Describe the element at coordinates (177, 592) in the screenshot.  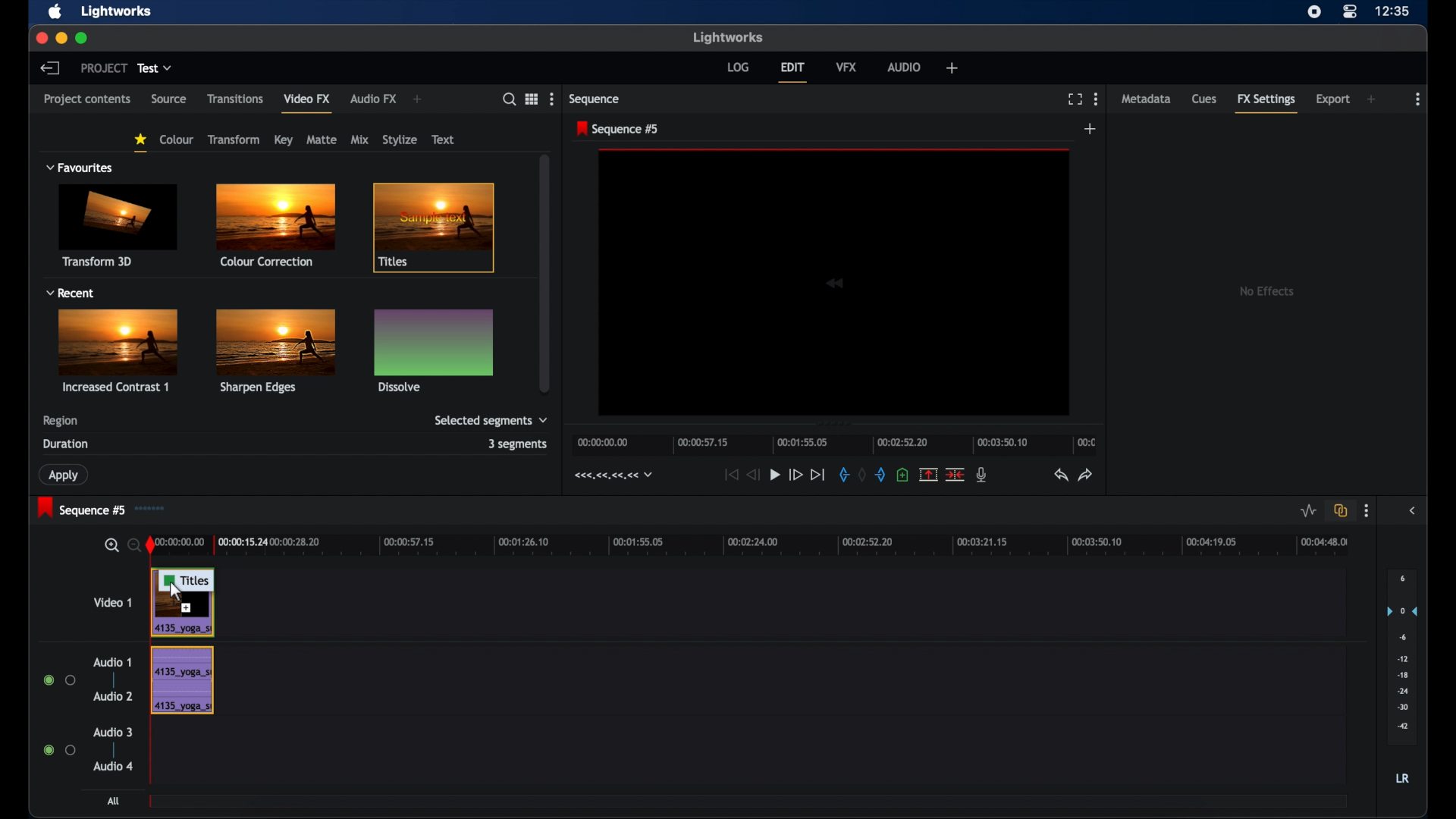
I see `cursor` at that location.